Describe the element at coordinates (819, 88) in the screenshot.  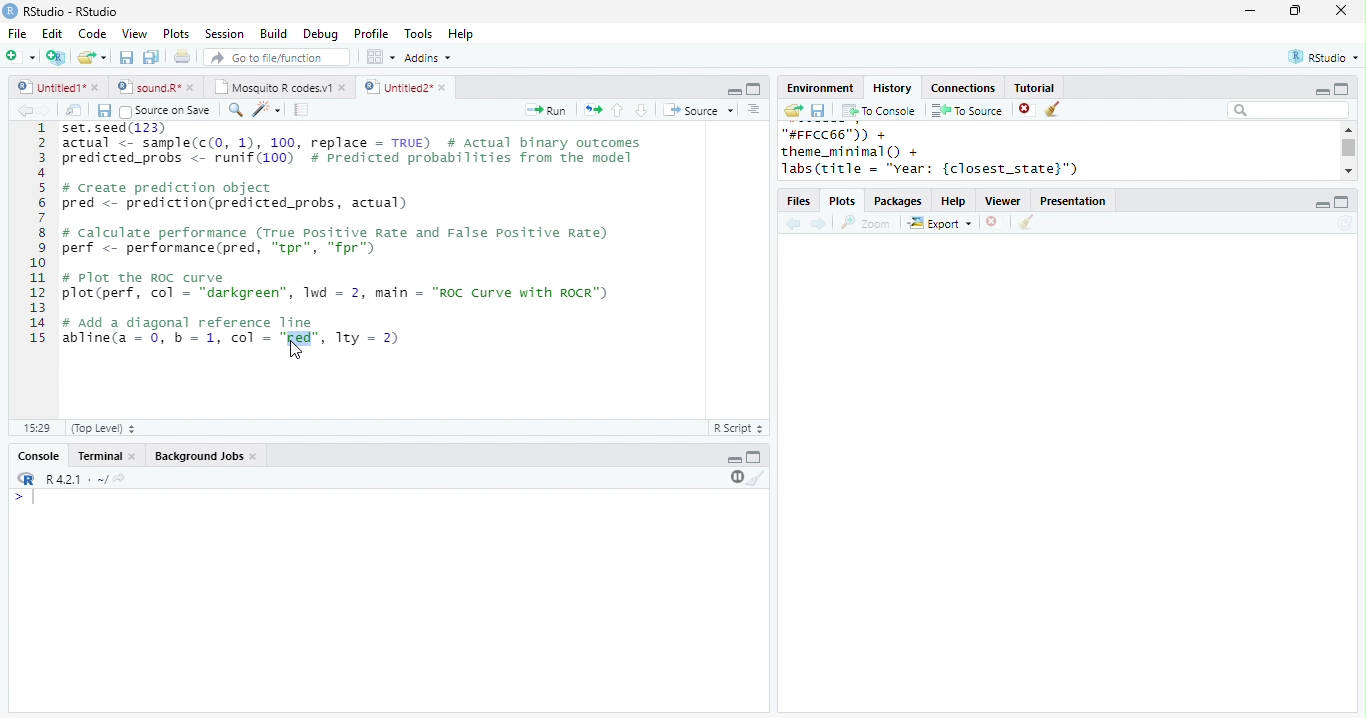
I see `Environment` at that location.